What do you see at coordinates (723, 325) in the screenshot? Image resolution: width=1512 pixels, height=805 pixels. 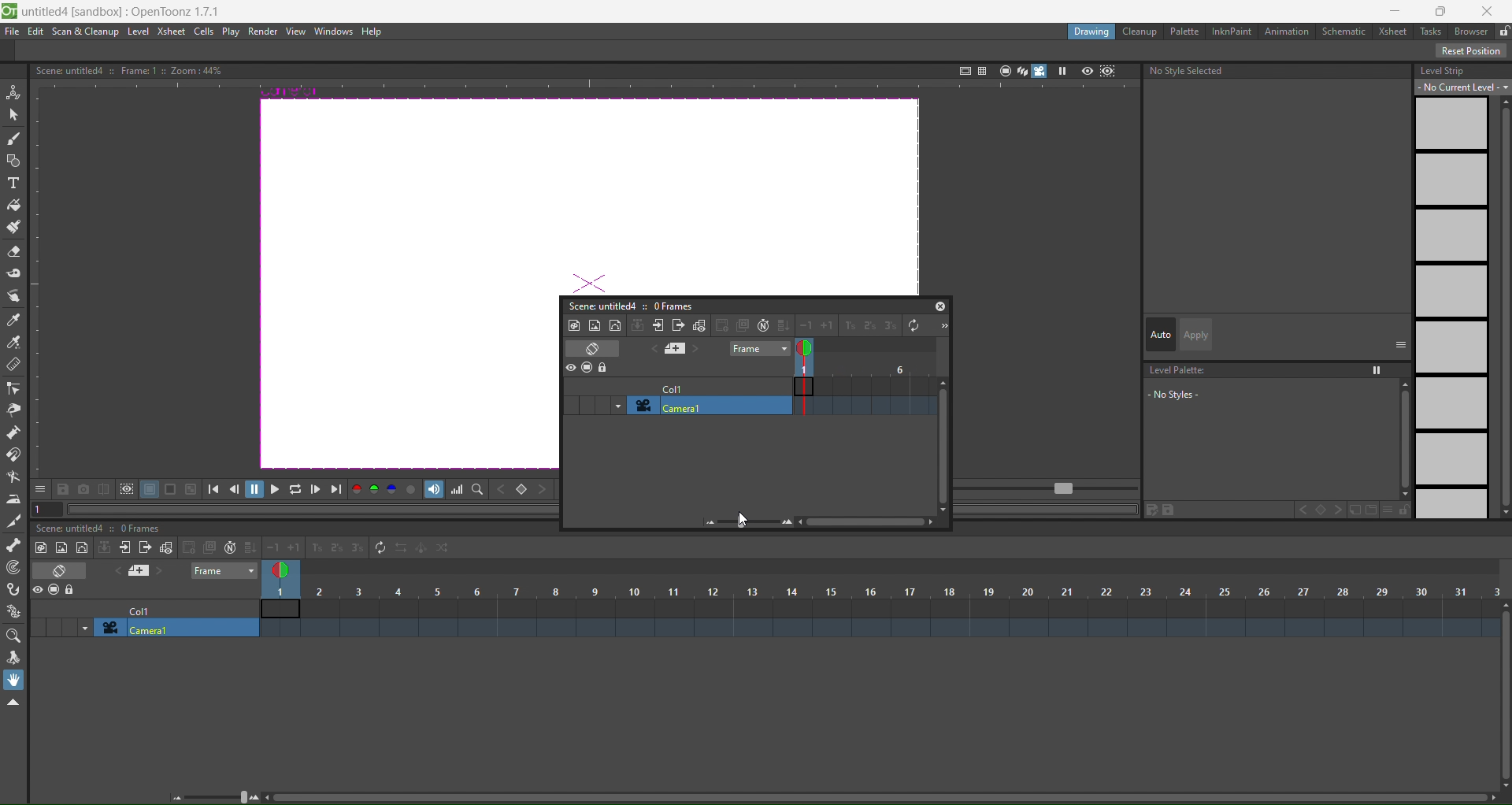 I see `` at bounding box center [723, 325].